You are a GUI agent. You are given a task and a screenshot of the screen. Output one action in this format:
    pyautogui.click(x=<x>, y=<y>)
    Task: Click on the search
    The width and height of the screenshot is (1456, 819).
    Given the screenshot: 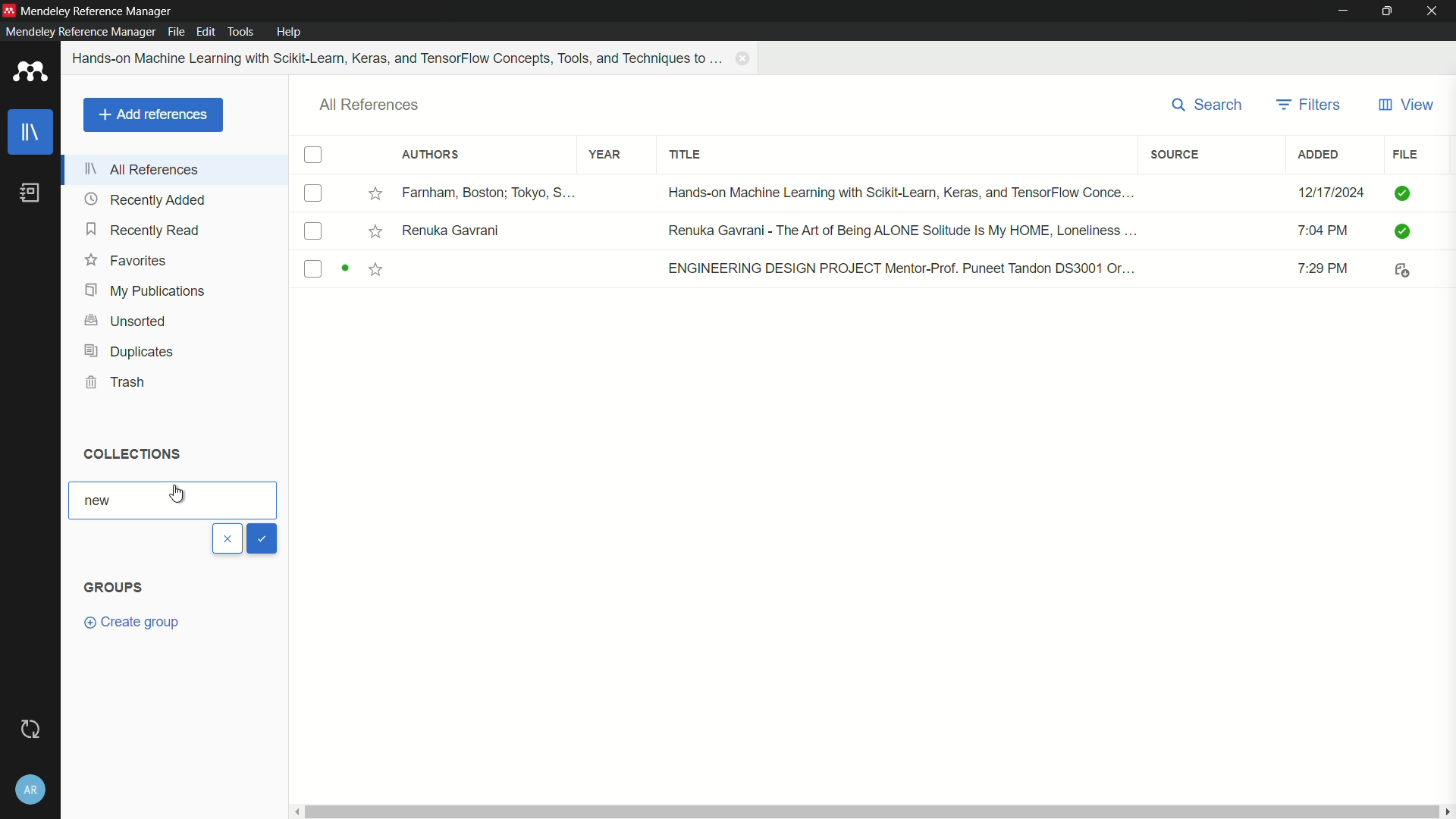 What is the action you would take?
    pyautogui.click(x=1209, y=105)
    